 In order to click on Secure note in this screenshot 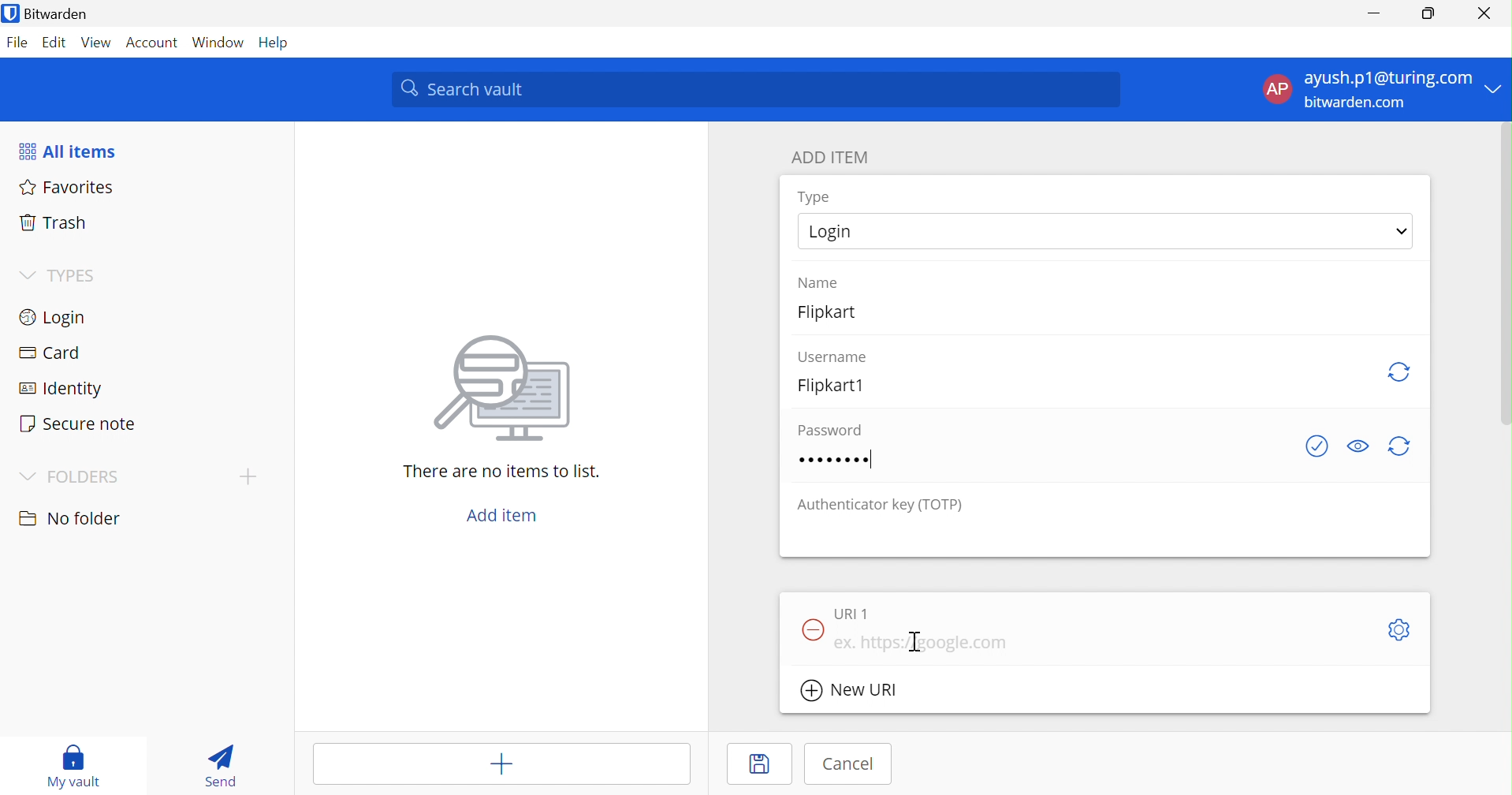, I will do `click(80, 426)`.